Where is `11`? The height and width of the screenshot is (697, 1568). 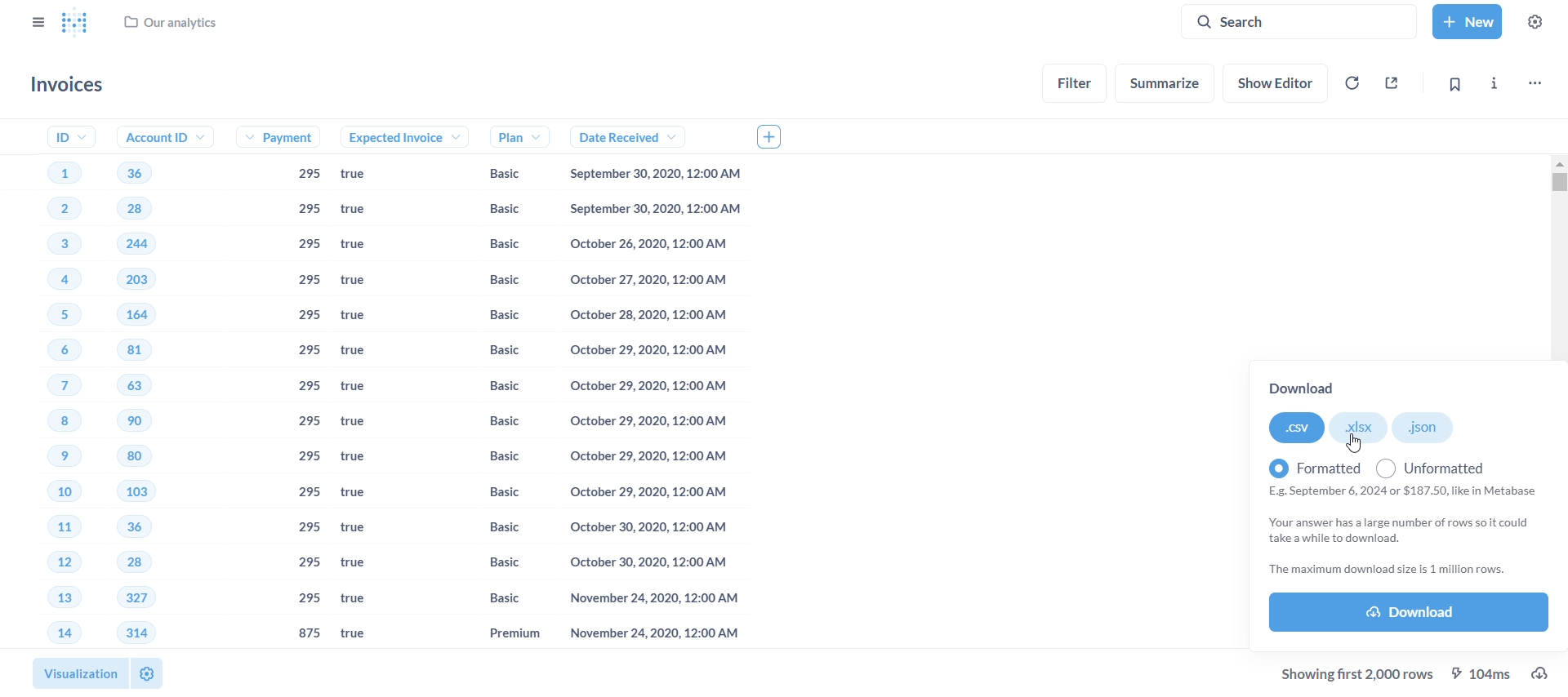 11 is located at coordinates (50, 529).